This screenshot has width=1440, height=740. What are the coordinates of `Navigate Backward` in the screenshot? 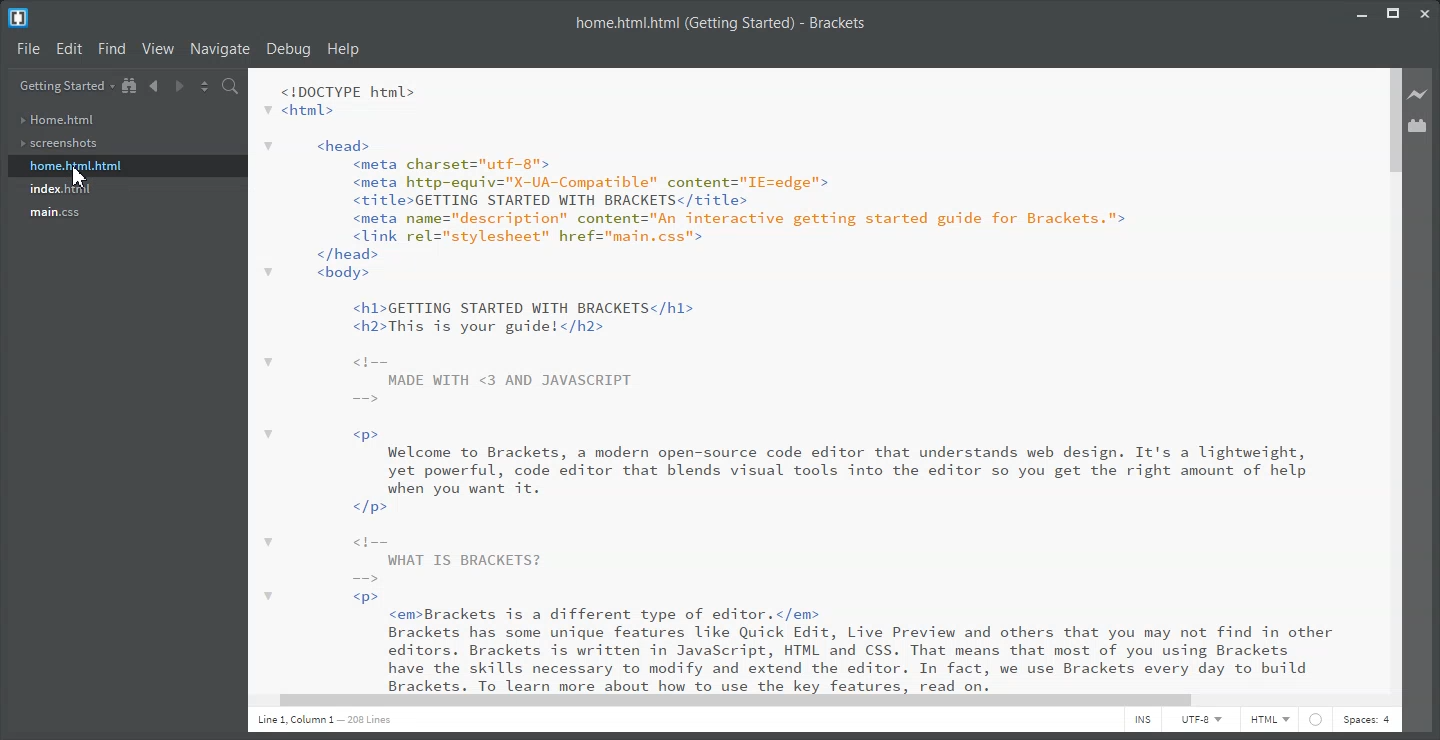 It's located at (153, 85).